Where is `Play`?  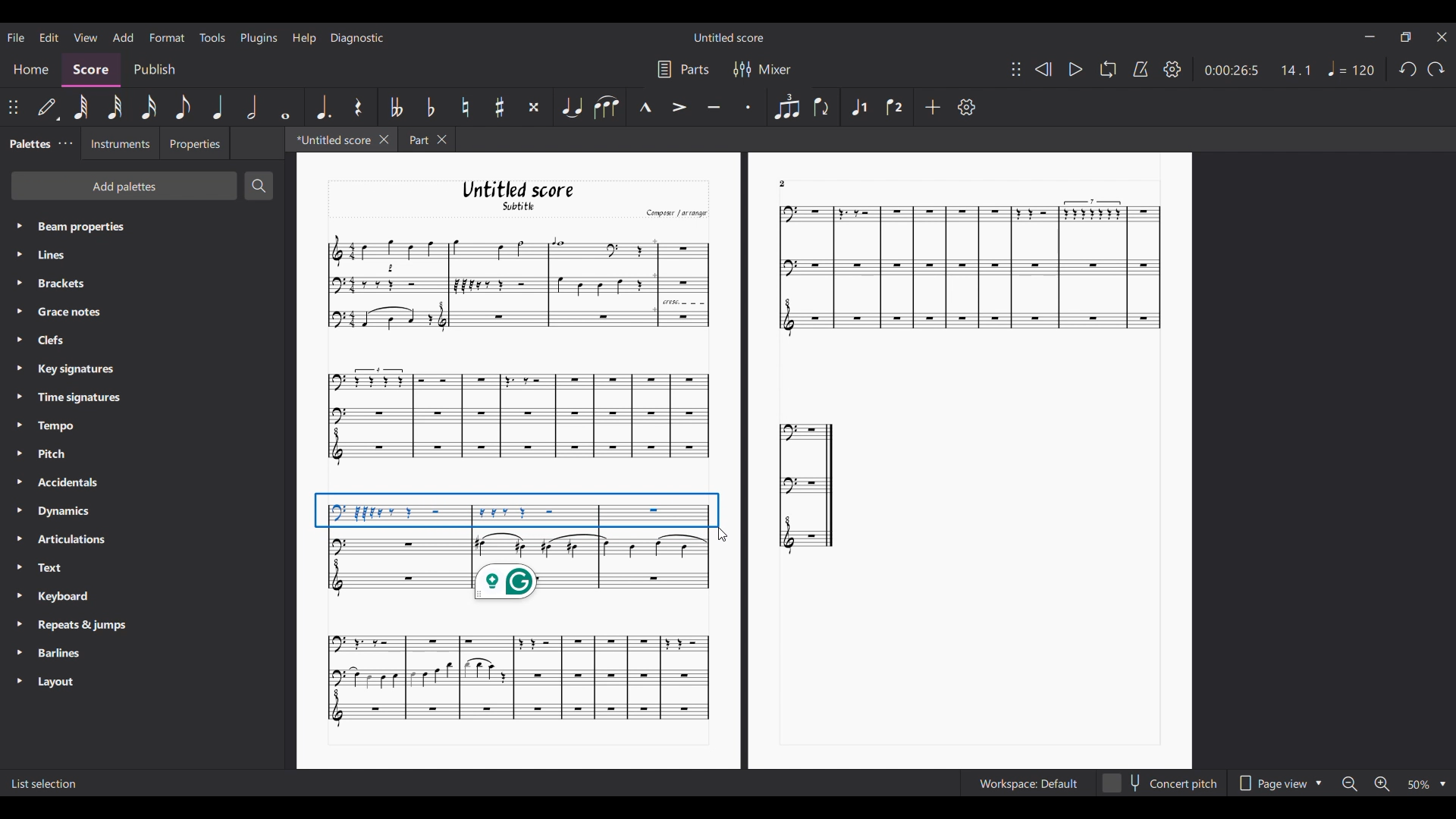
Play is located at coordinates (1076, 69).